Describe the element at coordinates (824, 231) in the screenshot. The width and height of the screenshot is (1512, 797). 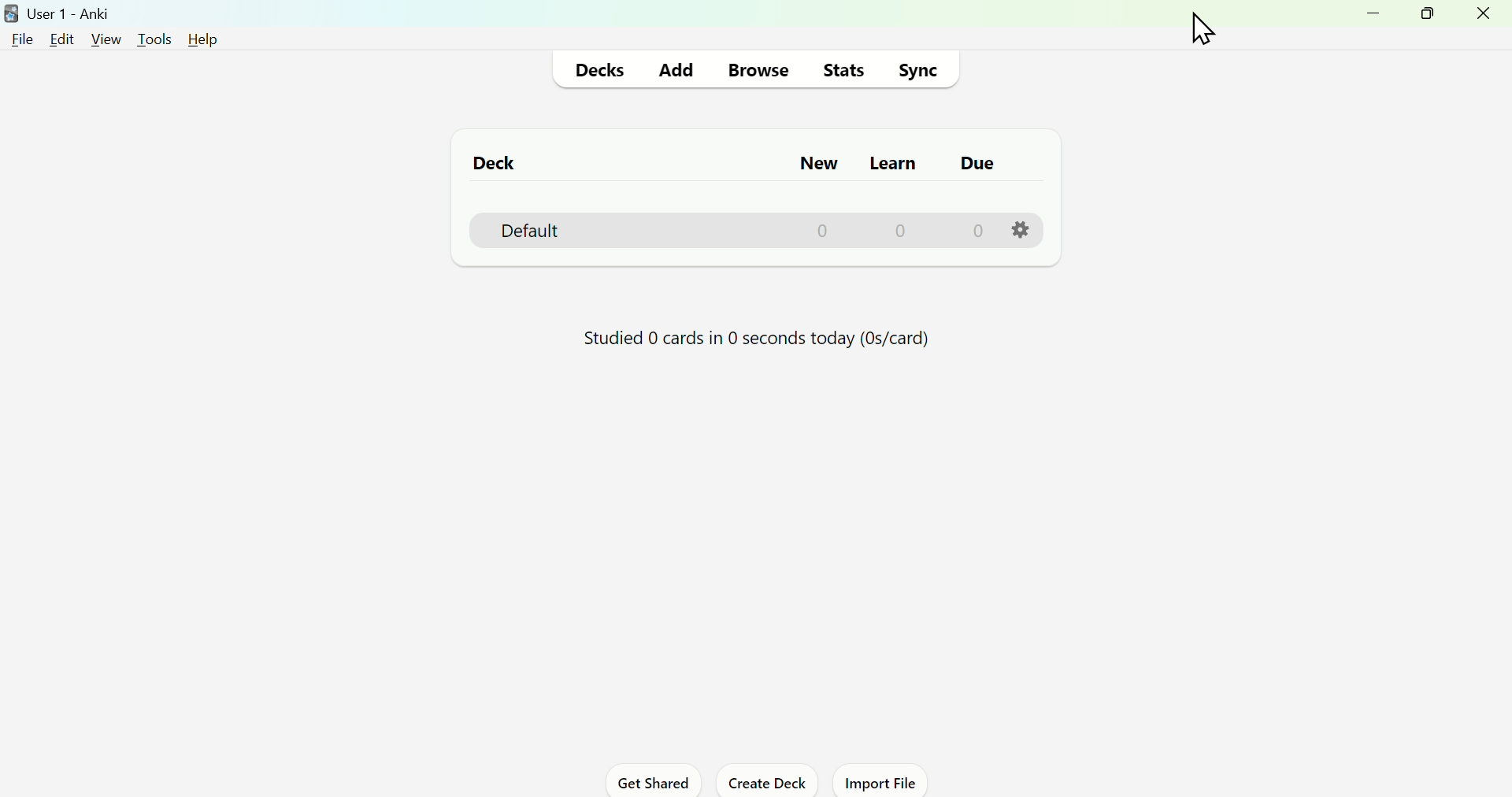
I see `0` at that location.